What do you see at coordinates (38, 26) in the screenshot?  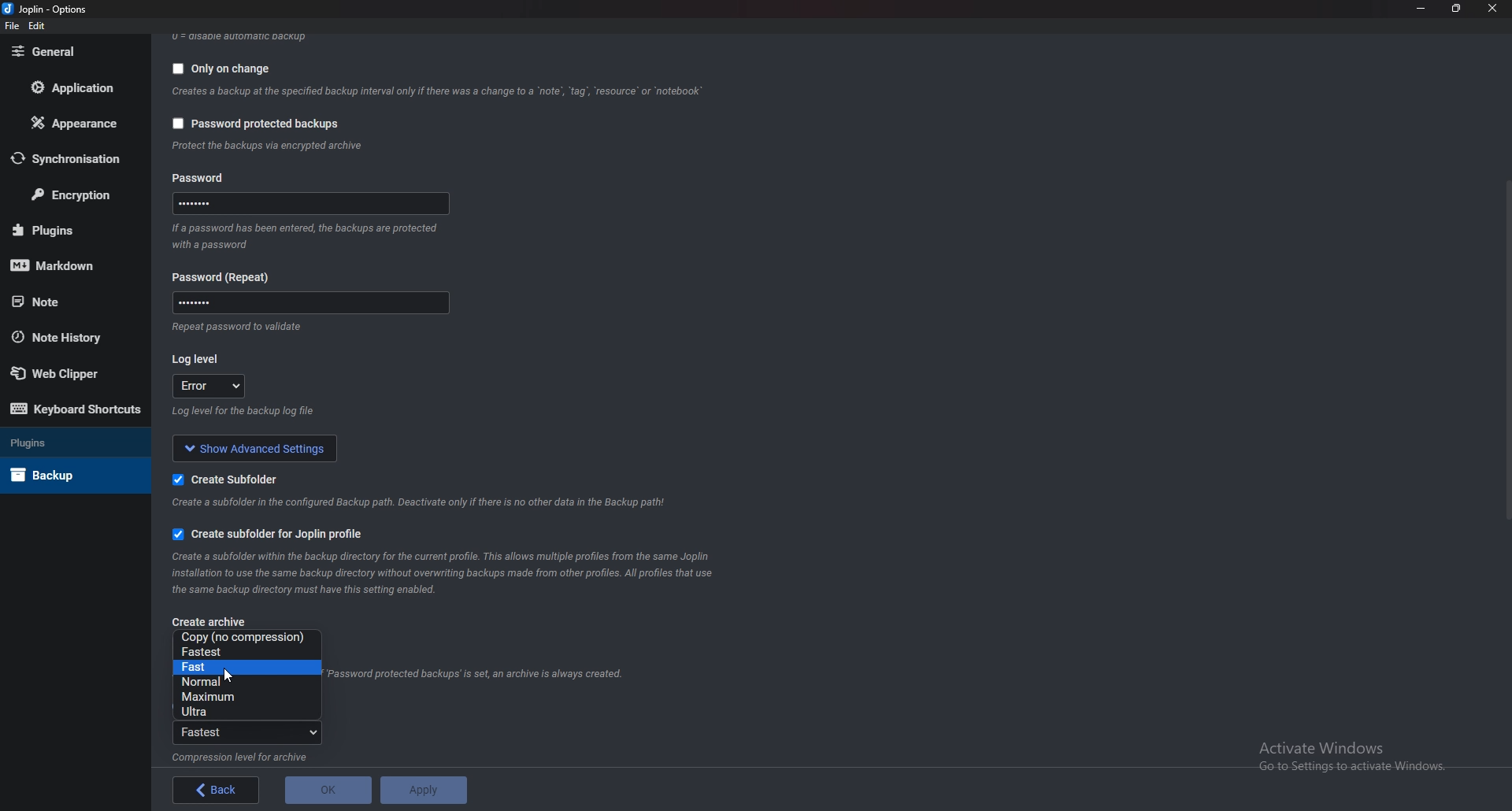 I see `edit` at bounding box center [38, 26].